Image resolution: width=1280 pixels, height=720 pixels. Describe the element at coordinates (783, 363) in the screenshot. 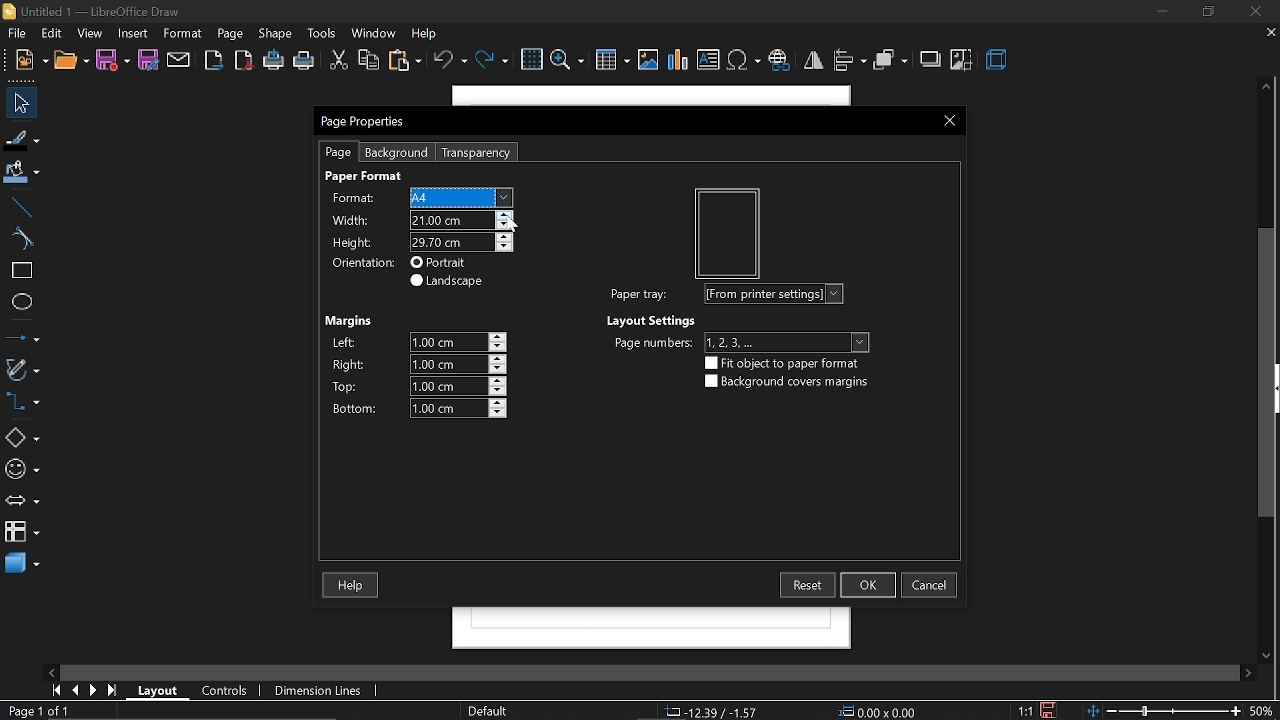

I see `flip object to paper format` at that location.